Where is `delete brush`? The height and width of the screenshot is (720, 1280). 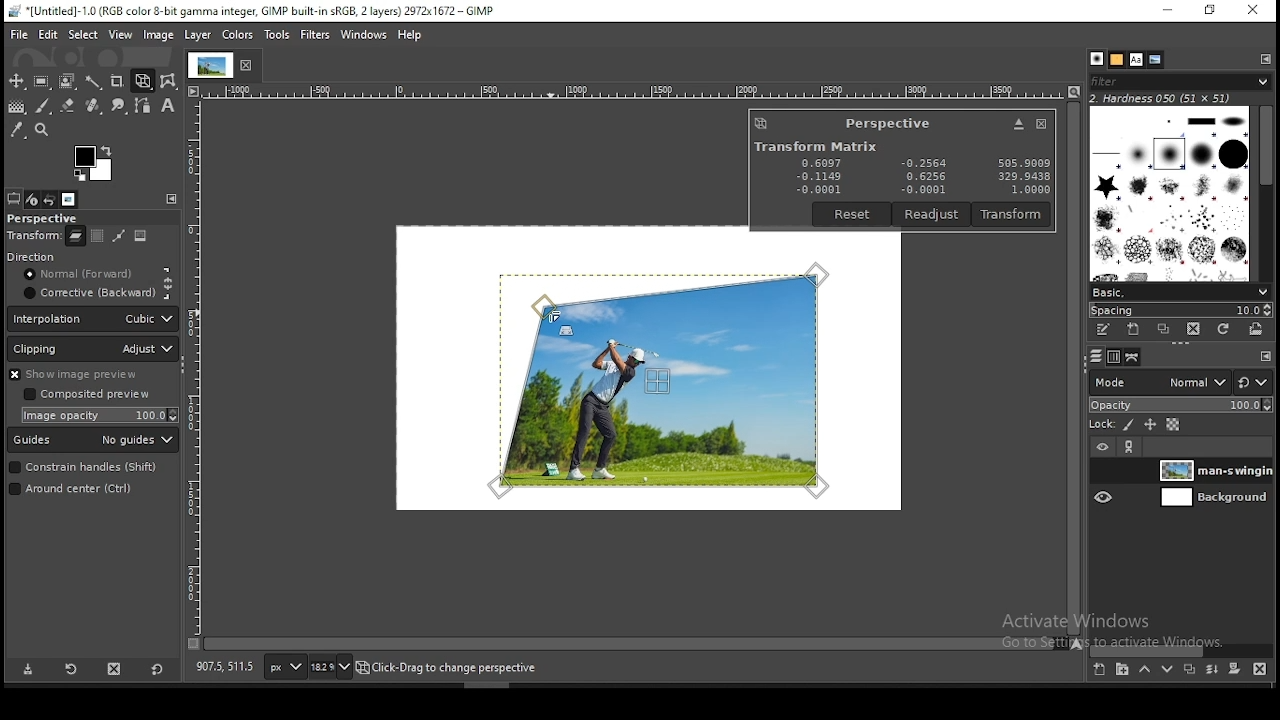 delete brush is located at coordinates (1196, 330).